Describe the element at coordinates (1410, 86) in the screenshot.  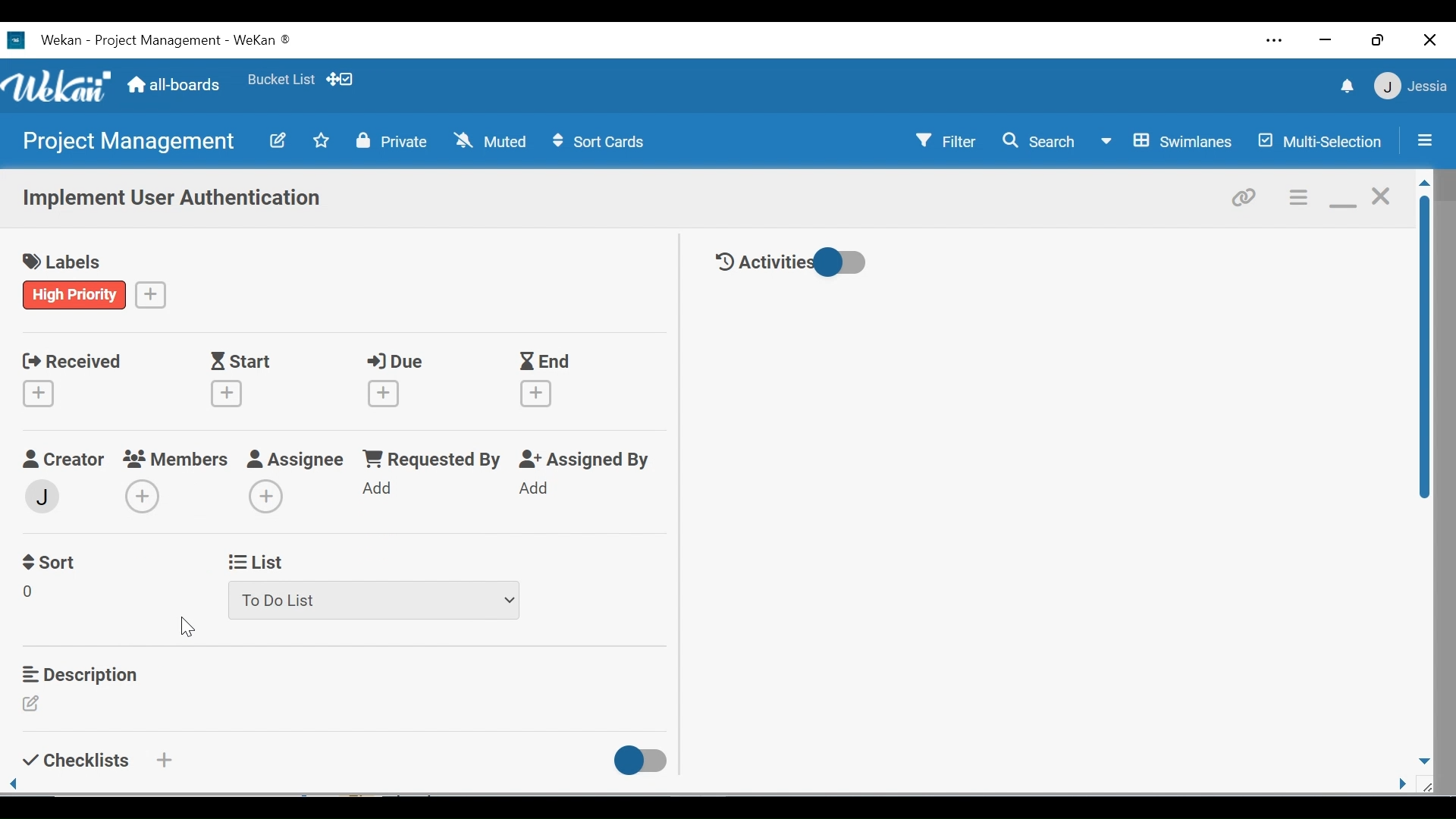
I see `member menu` at that location.